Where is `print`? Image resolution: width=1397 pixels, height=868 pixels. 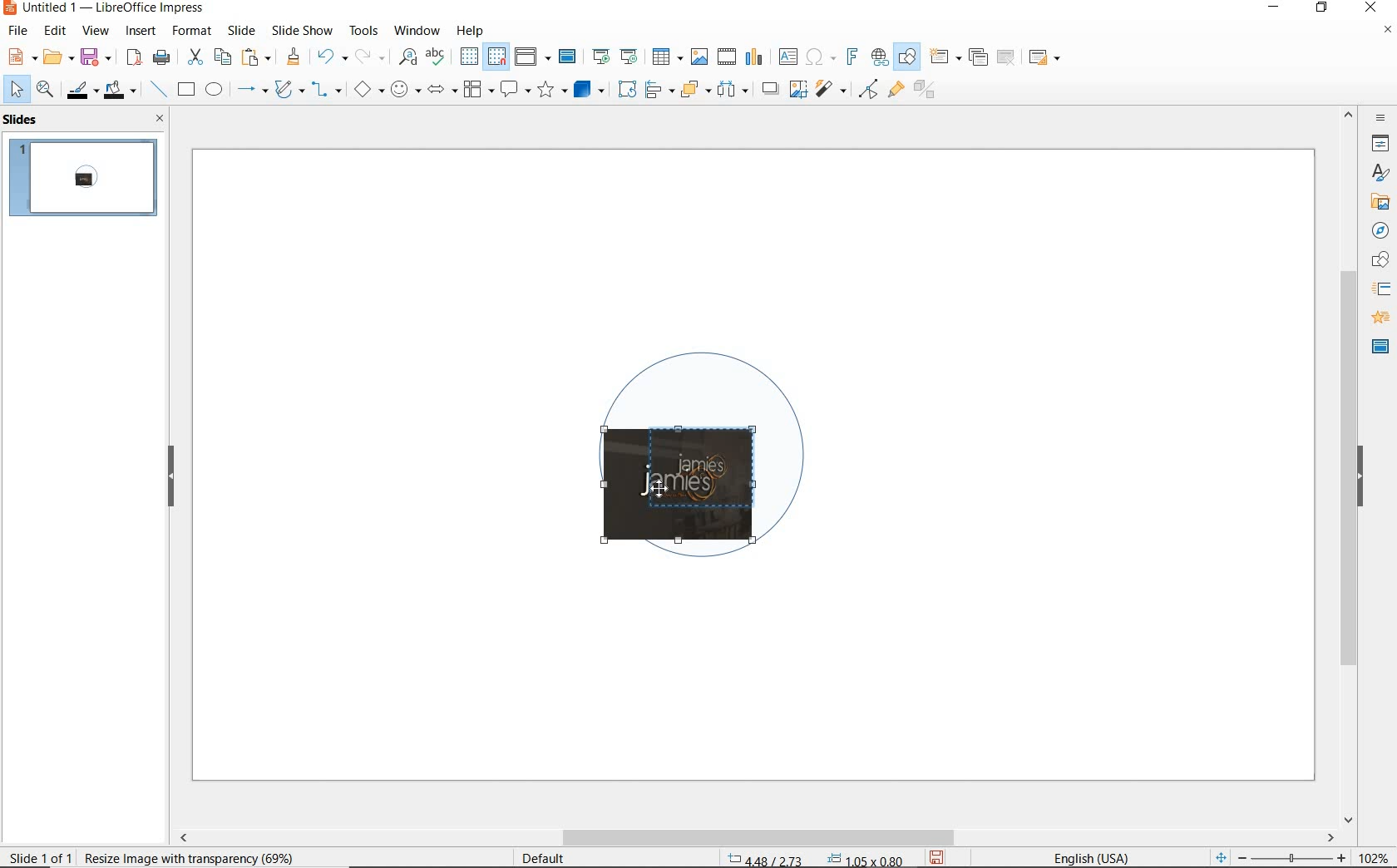 print is located at coordinates (161, 56).